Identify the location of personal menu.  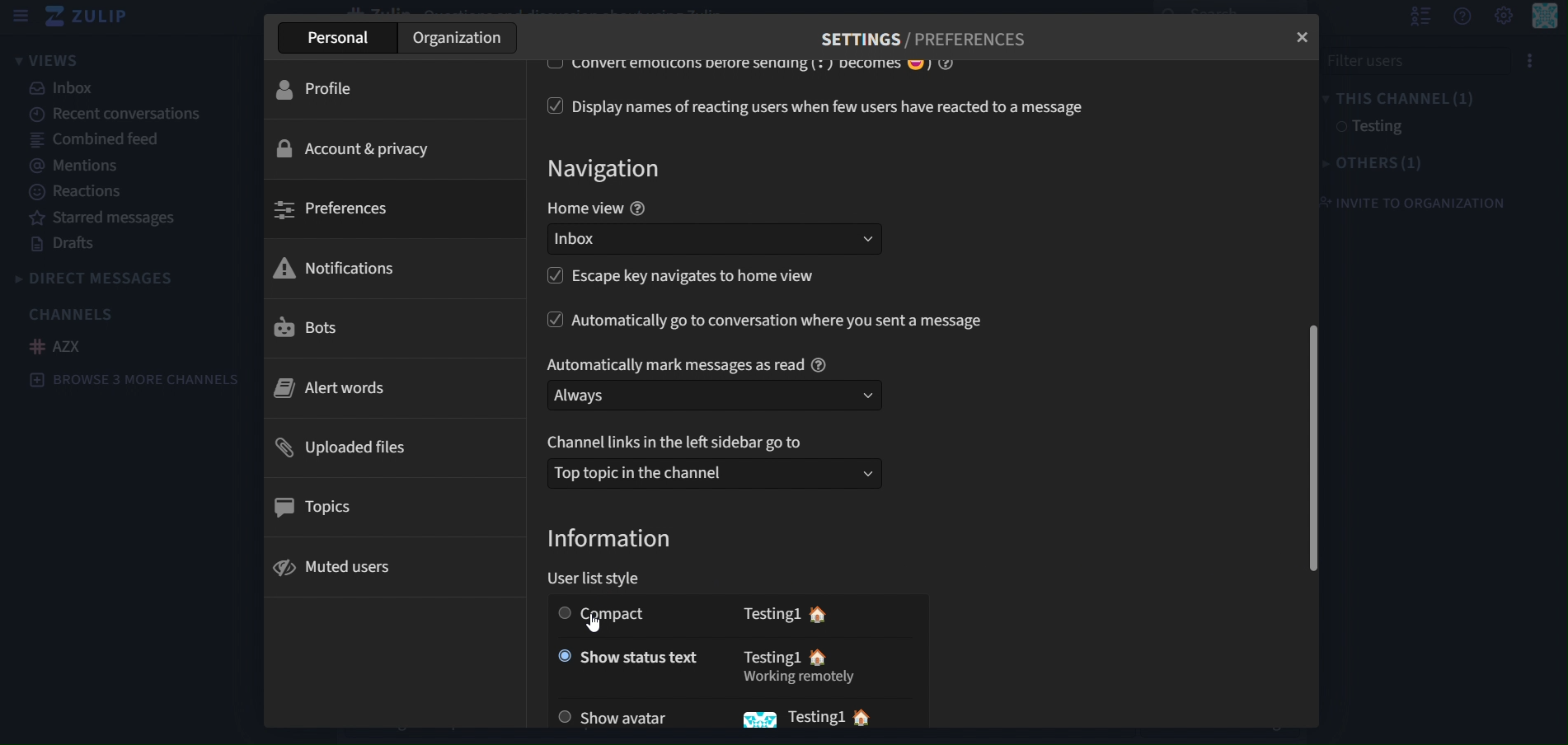
(1543, 22).